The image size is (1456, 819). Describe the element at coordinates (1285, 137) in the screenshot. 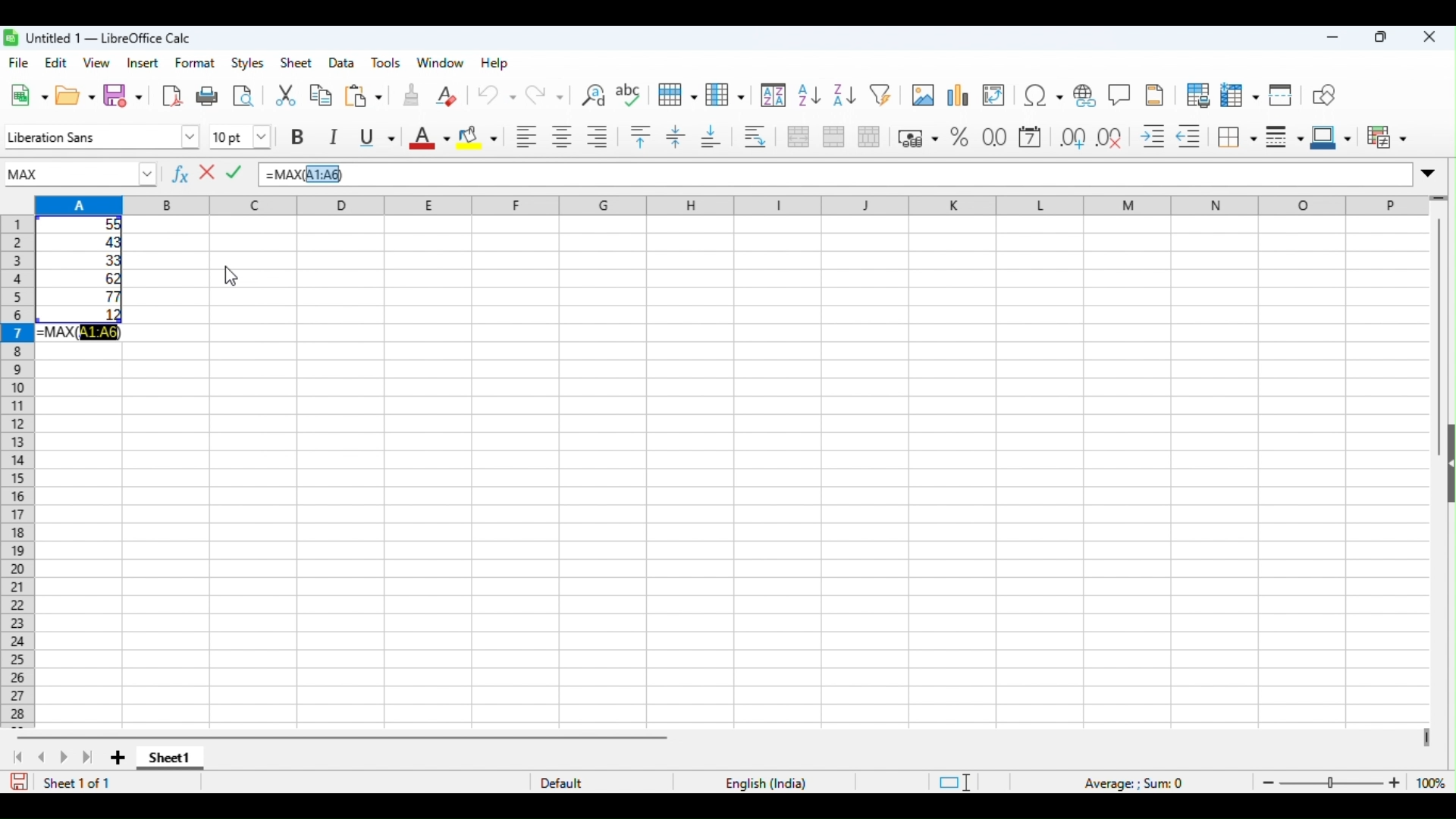

I see `border style` at that location.